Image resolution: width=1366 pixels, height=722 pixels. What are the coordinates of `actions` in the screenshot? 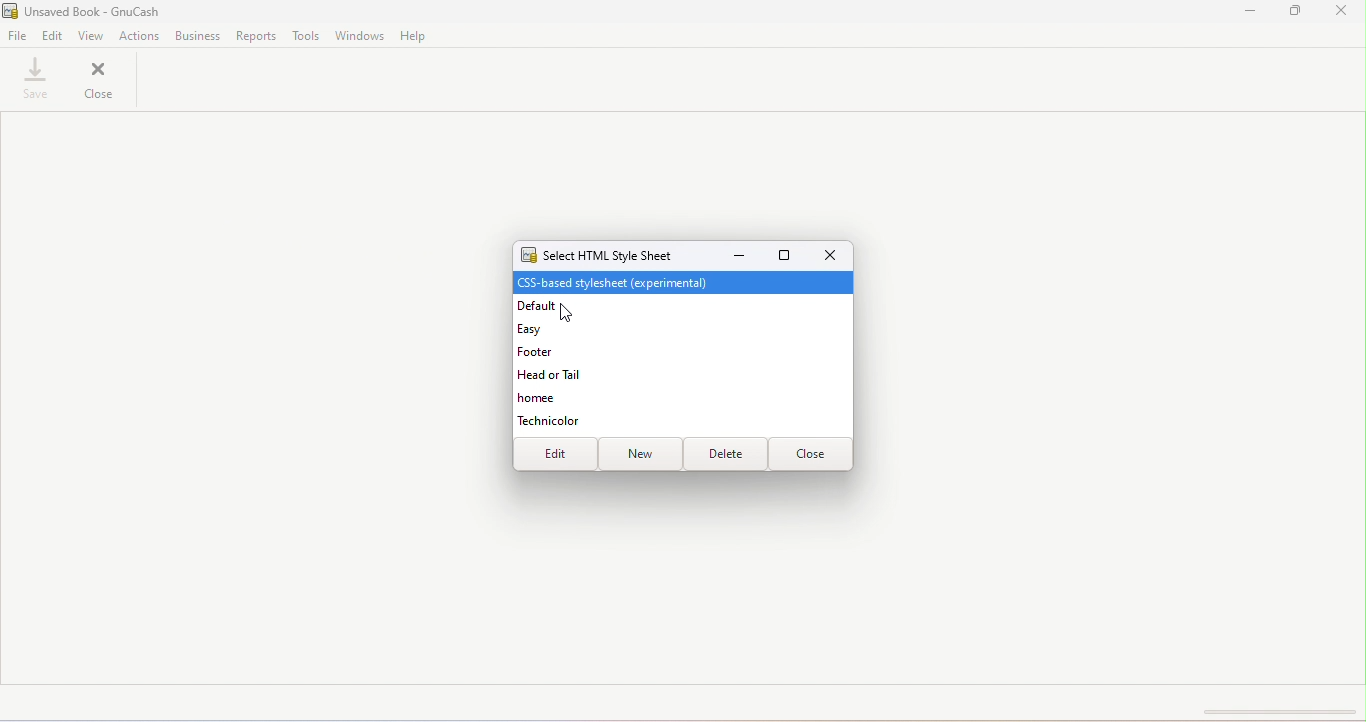 It's located at (138, 37).